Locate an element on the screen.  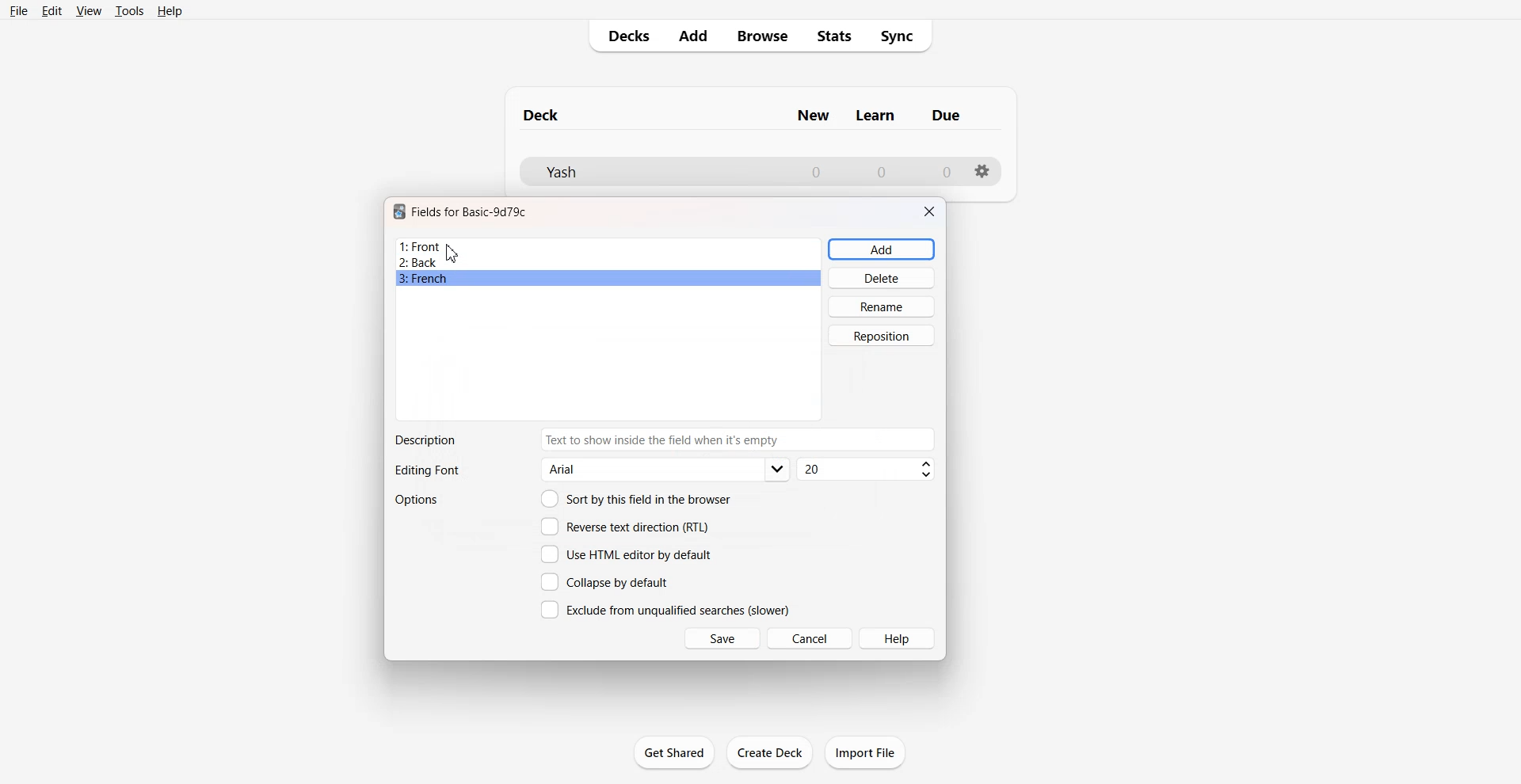
Browse is located at coordinates (761, 36).